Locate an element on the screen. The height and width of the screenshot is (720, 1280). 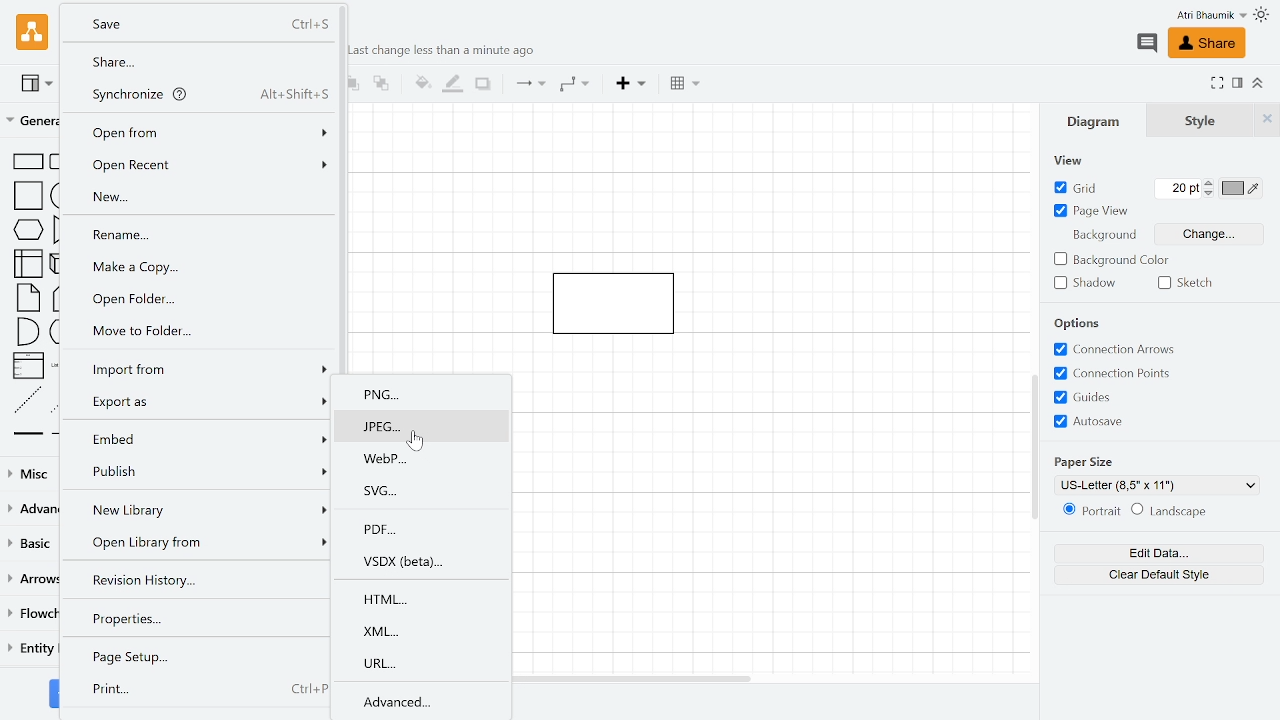
Background is located at coordinates (1103, 236).